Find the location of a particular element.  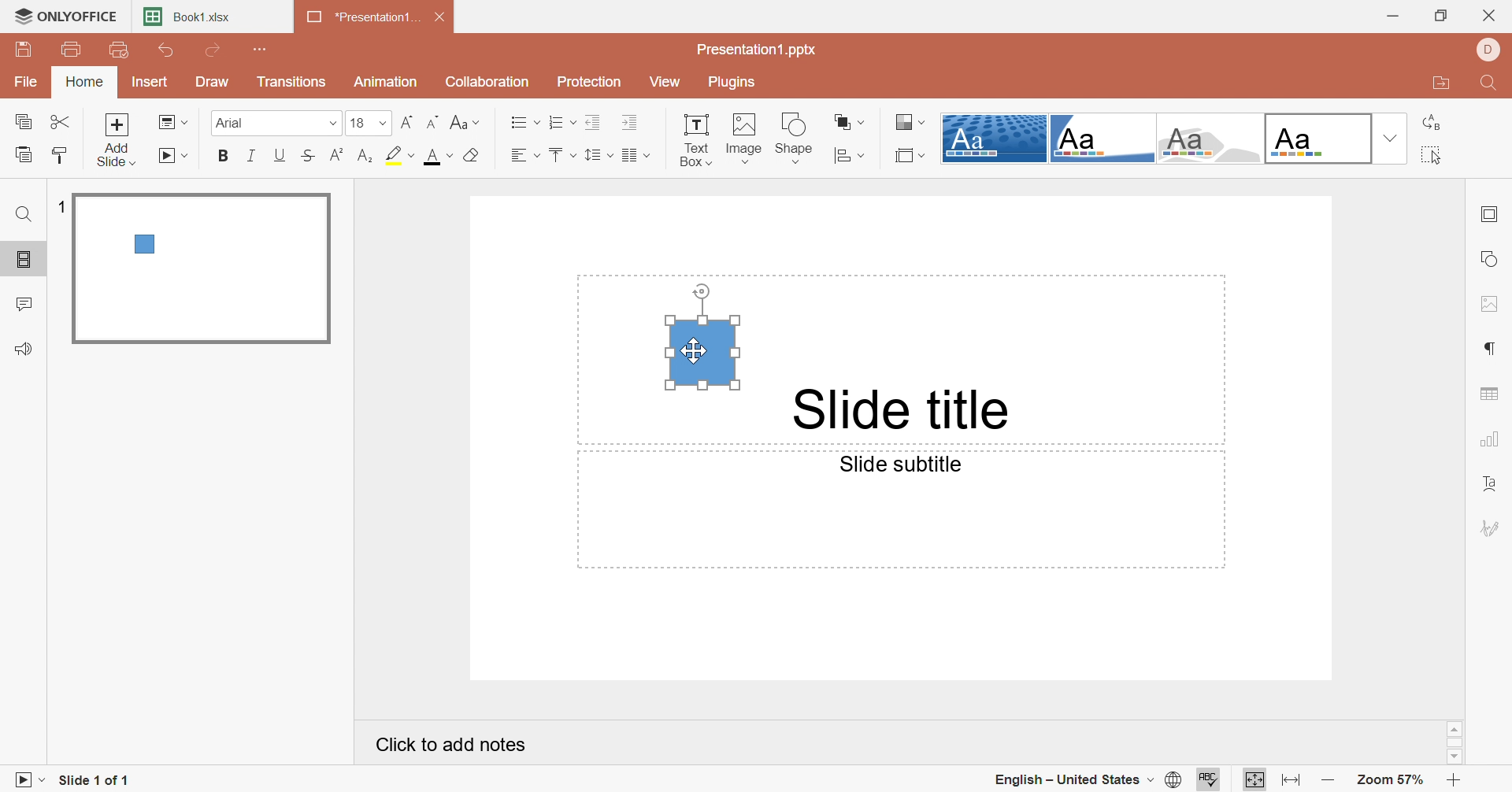

Highlight color is located at coordinates (401, 154).